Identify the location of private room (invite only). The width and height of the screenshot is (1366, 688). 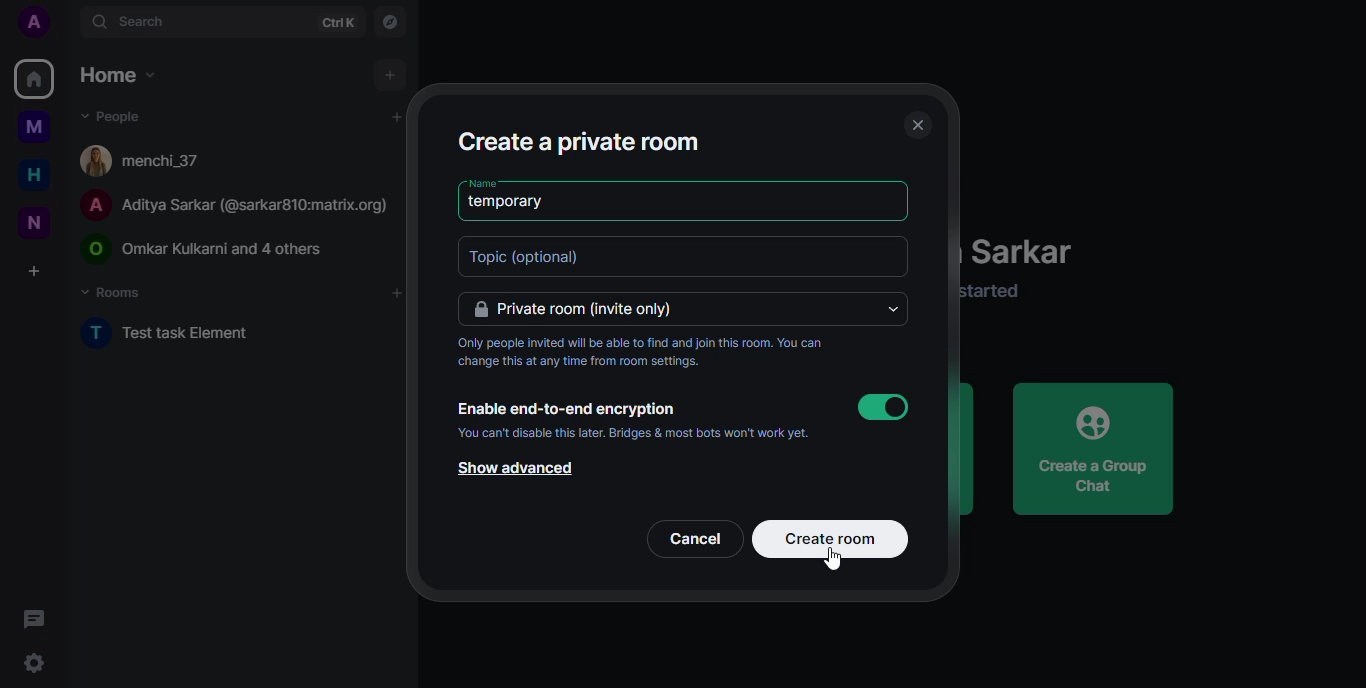
(586, 311).